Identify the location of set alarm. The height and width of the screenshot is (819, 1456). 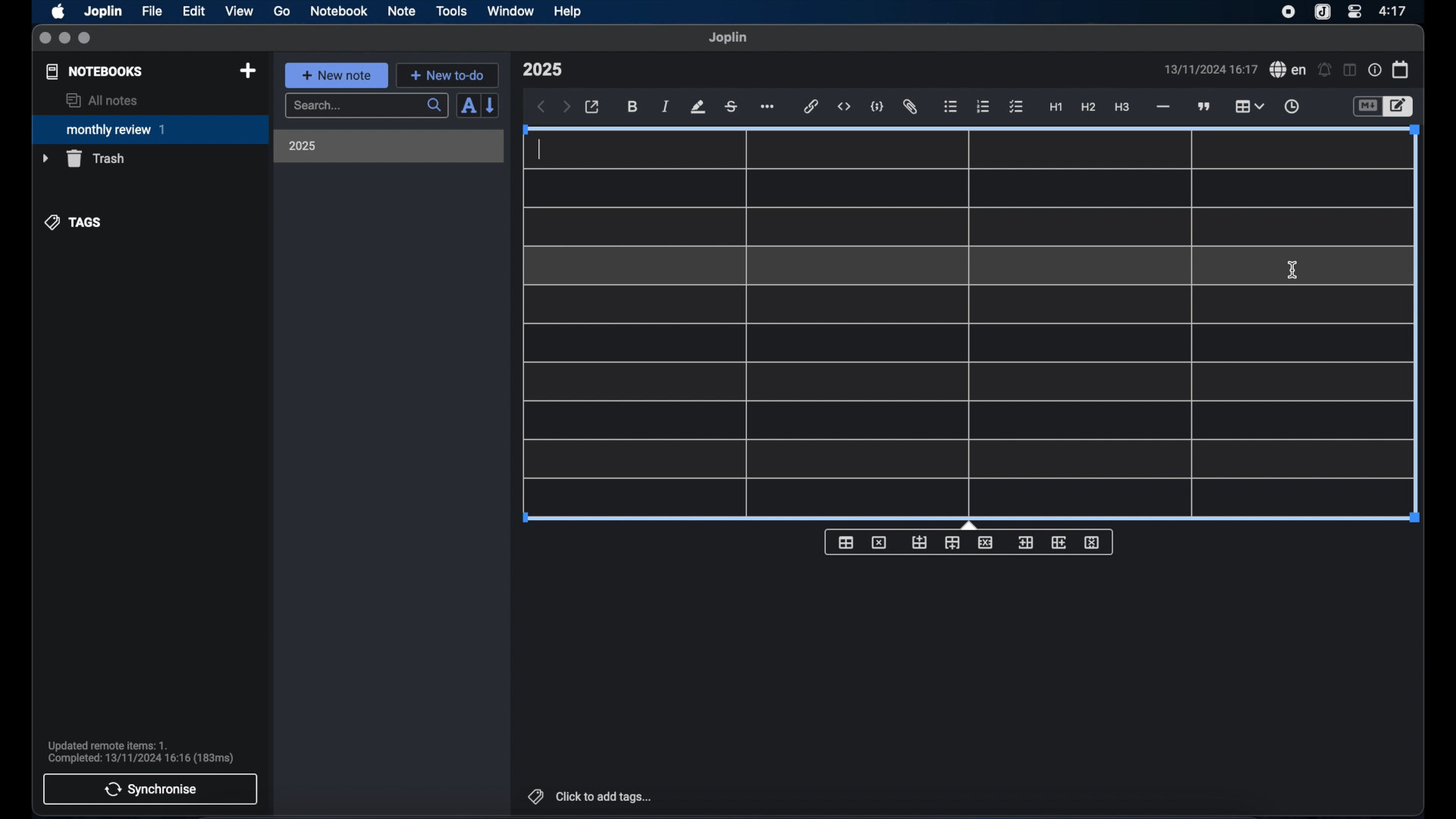
(1325, 71).